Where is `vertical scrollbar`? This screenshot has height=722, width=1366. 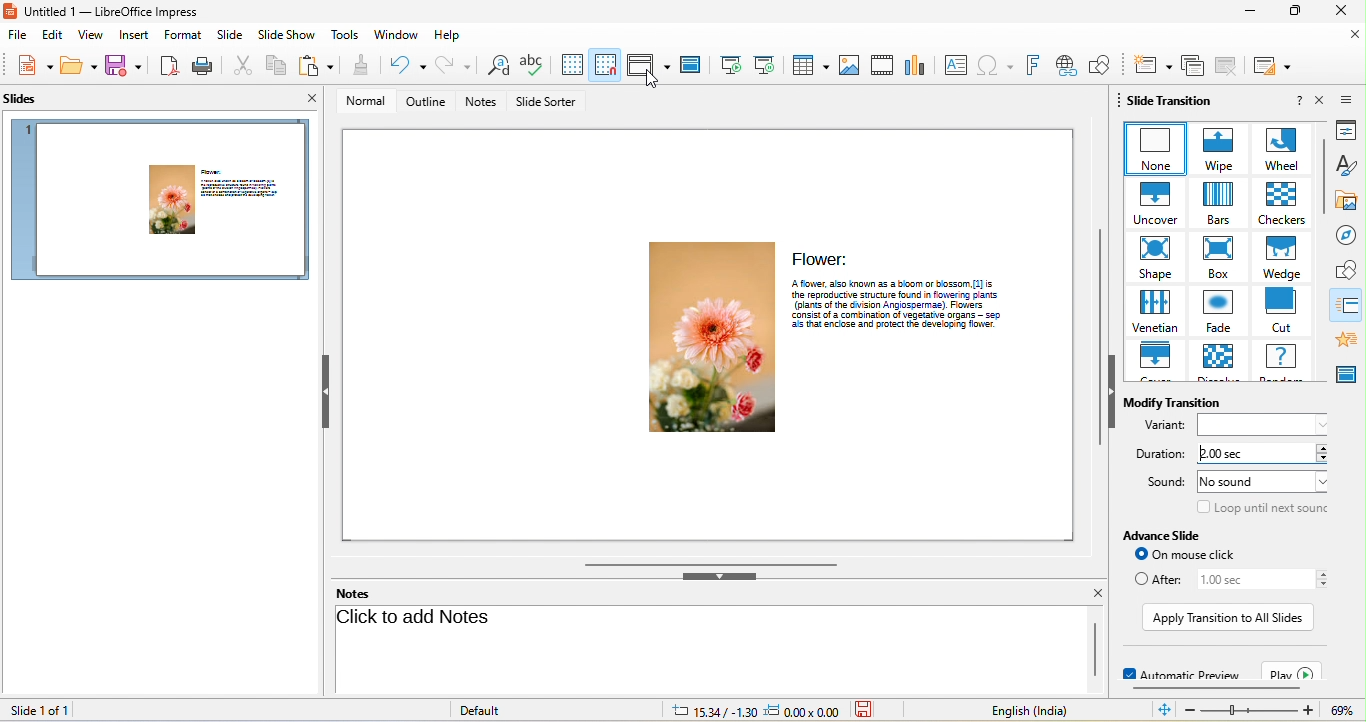 vertical scrollbar is located at coordinates (1093, 338).